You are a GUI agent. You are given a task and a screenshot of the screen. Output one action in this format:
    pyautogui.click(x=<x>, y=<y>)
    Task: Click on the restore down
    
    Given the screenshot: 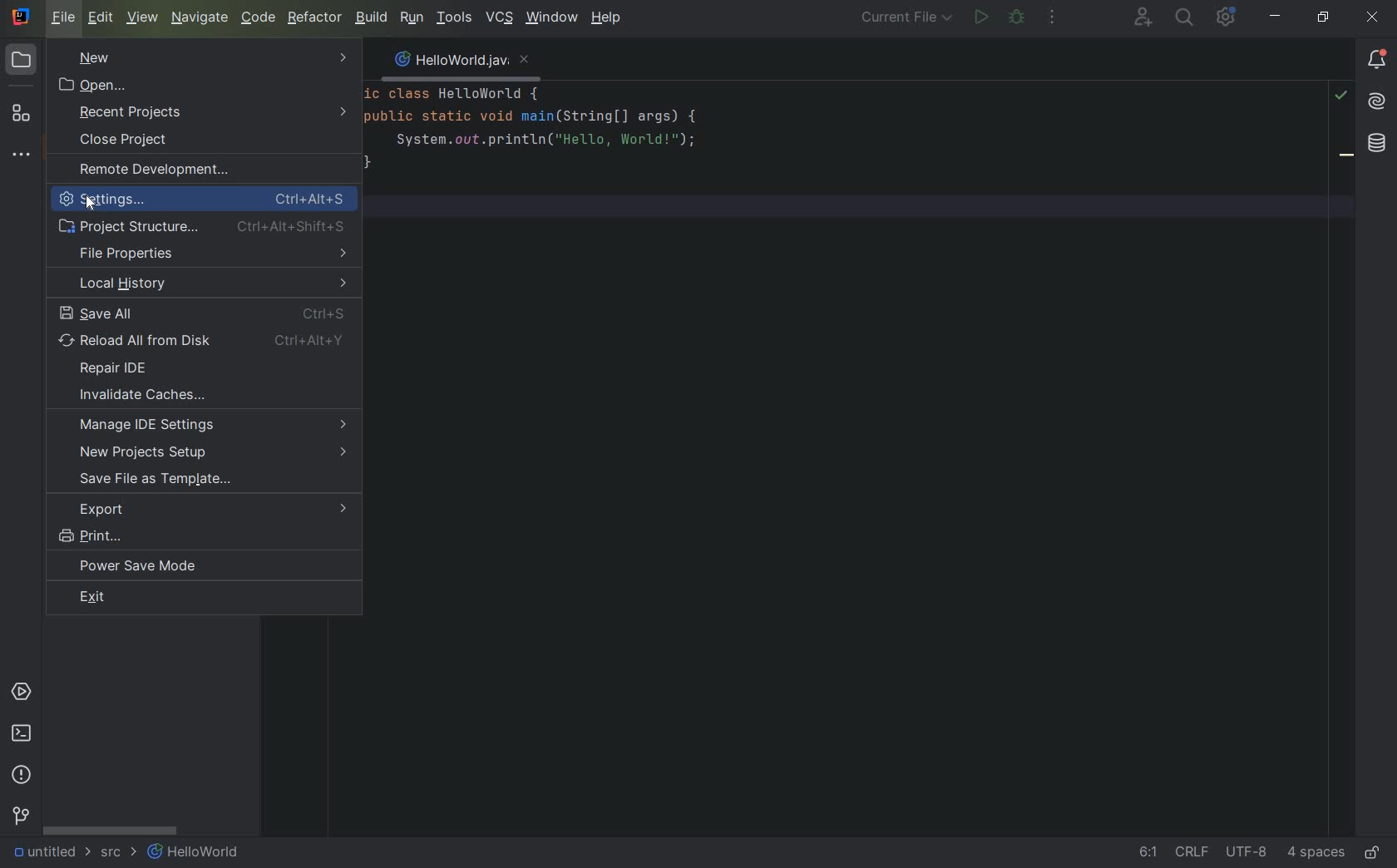 What is the action you would take?
    pyautogui.click(x=1324, y=18)
    